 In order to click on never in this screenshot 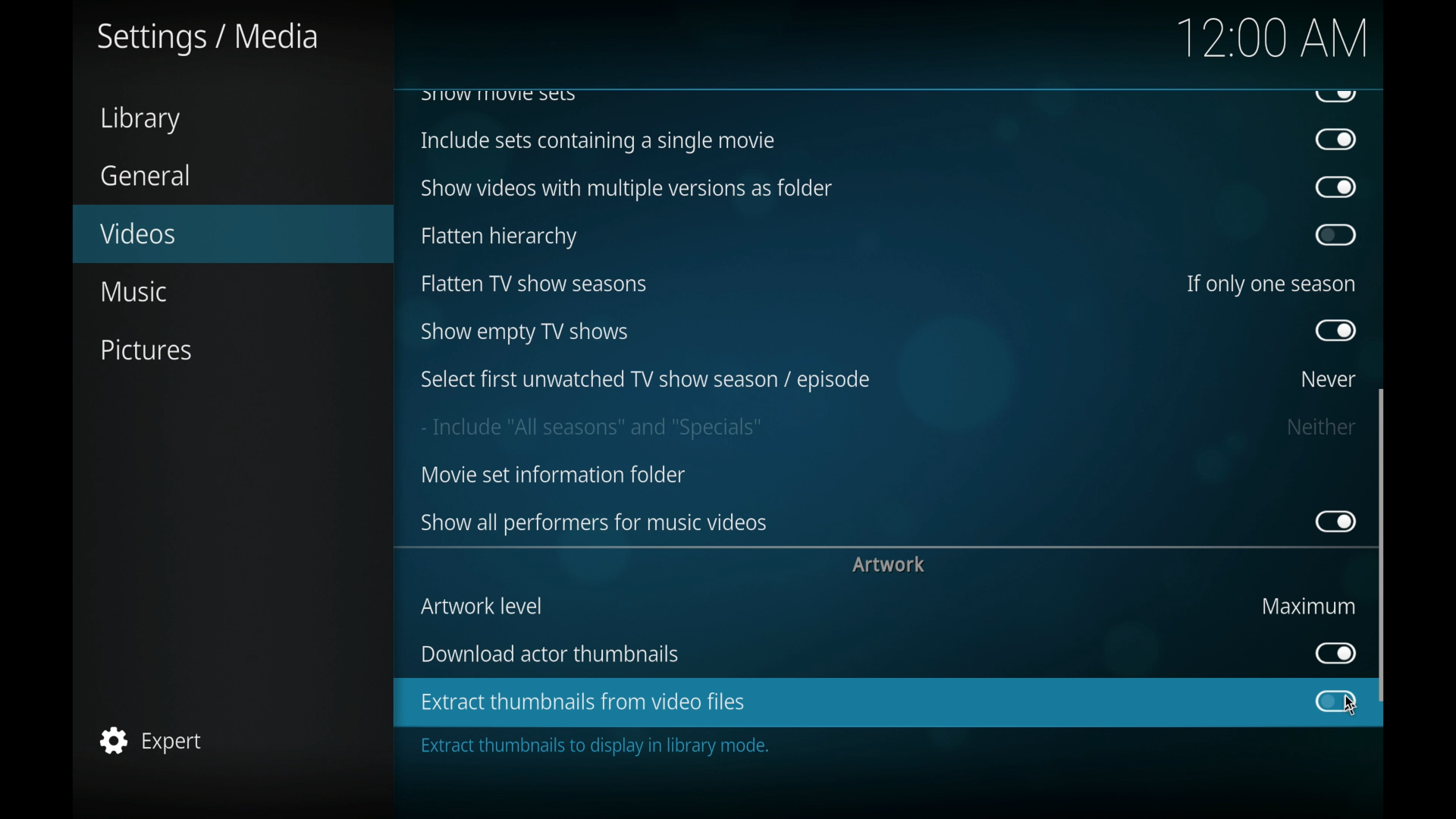, I will do `click(1329, 381)`.